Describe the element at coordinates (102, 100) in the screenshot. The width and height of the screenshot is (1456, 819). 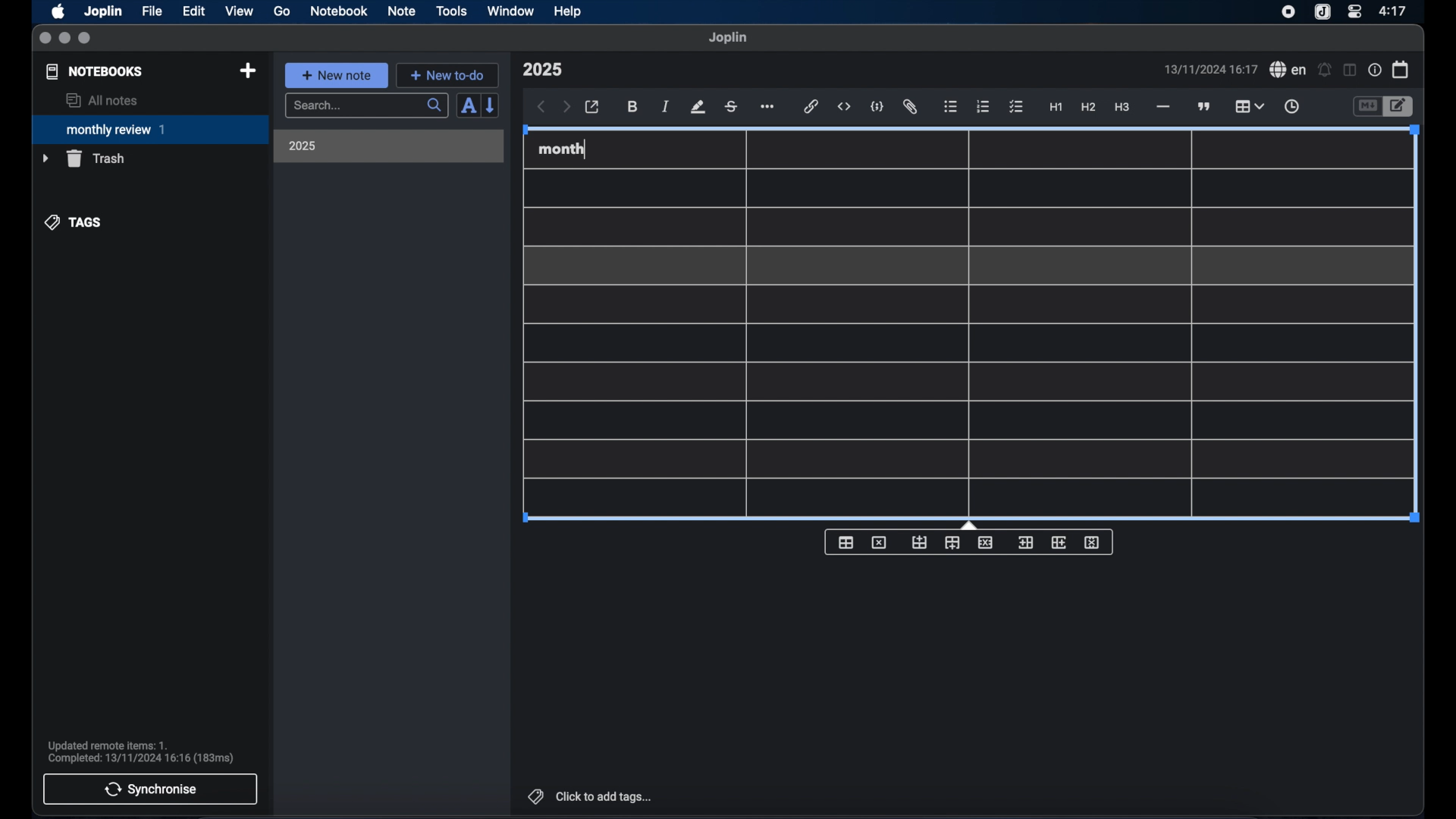
I see `all notes` at that location.